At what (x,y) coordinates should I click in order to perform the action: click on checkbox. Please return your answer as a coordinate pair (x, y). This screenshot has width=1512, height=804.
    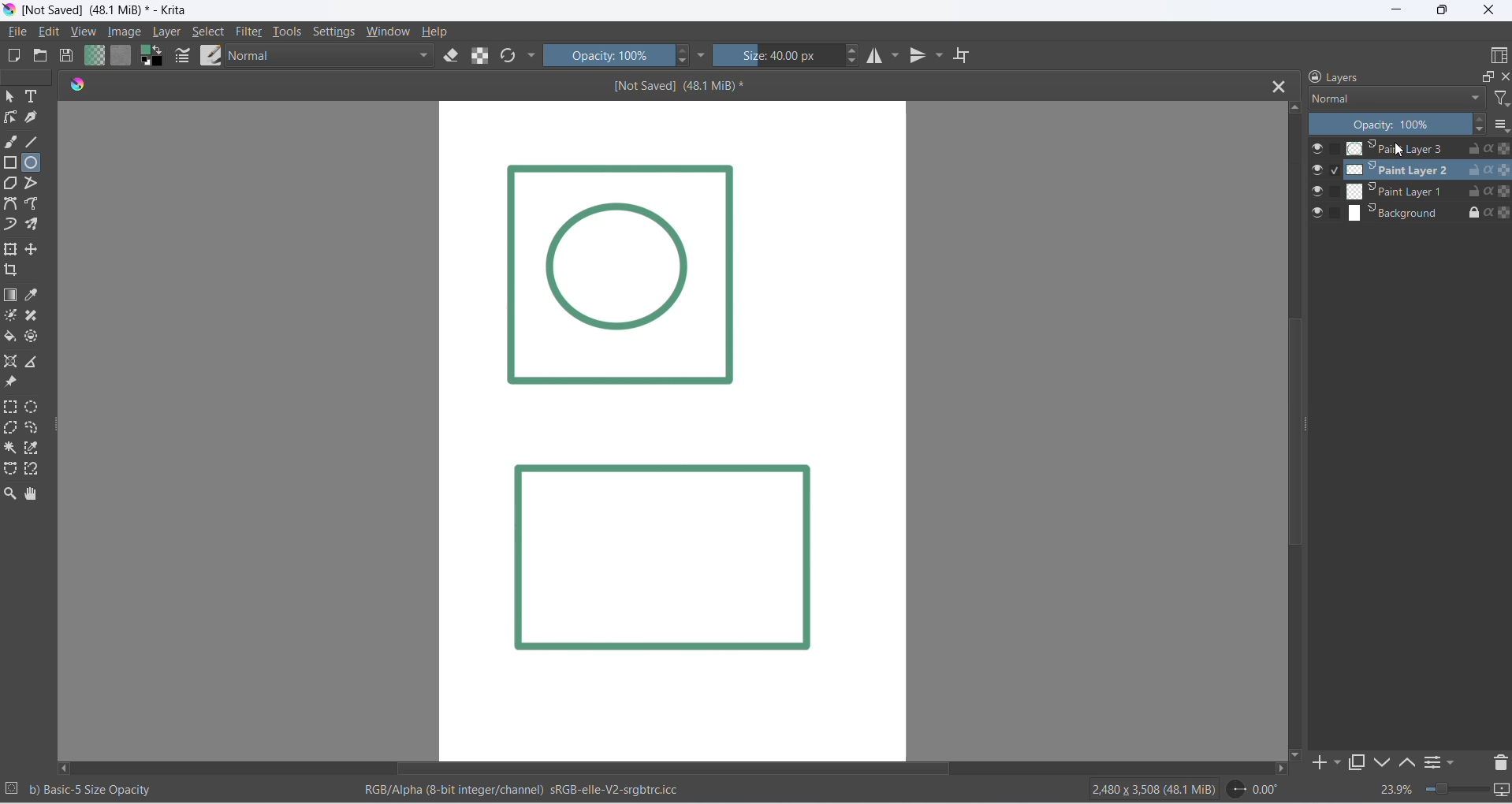
    Looking at the image, I should click on (1335, 169).